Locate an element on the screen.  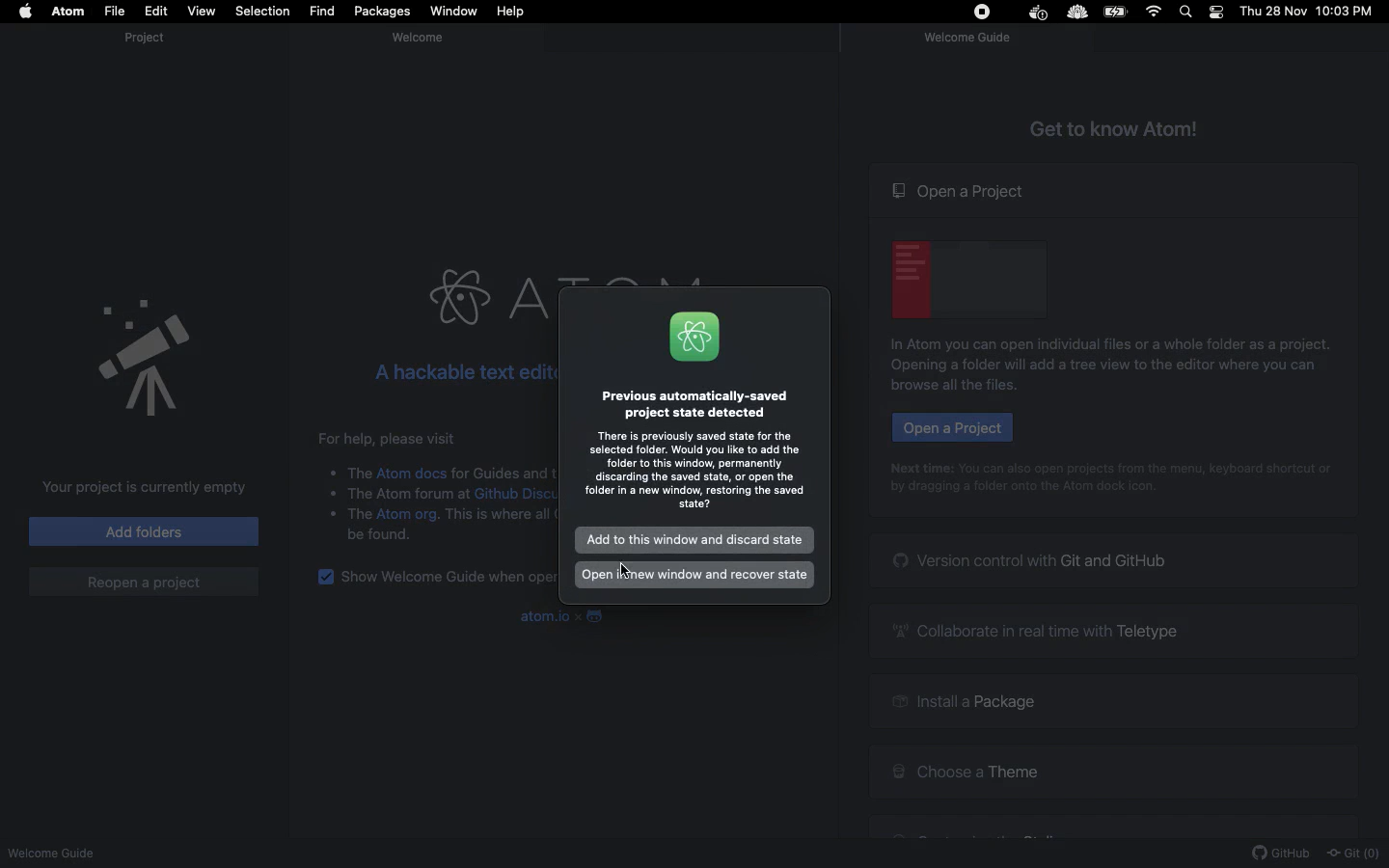
Descriptive text is located at coordinates (395, 437).